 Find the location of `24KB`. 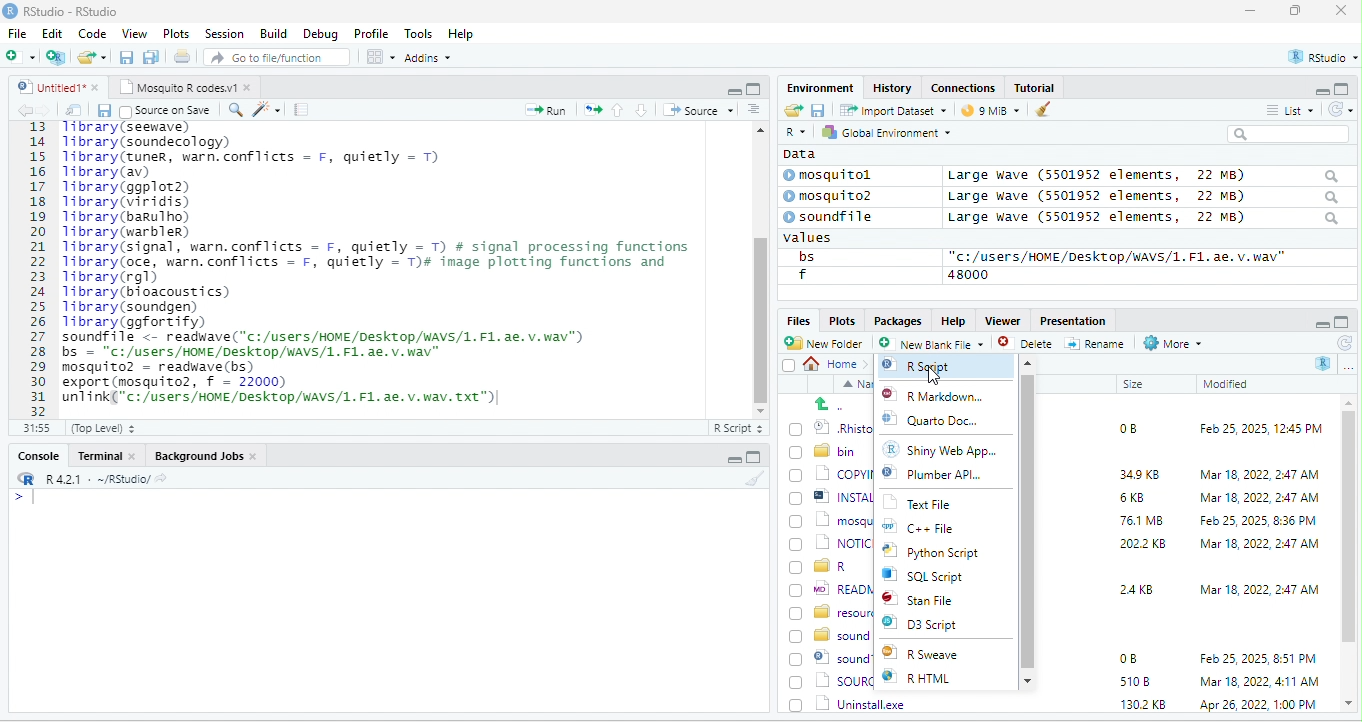

24KB is located at coordinates (1133, 588).